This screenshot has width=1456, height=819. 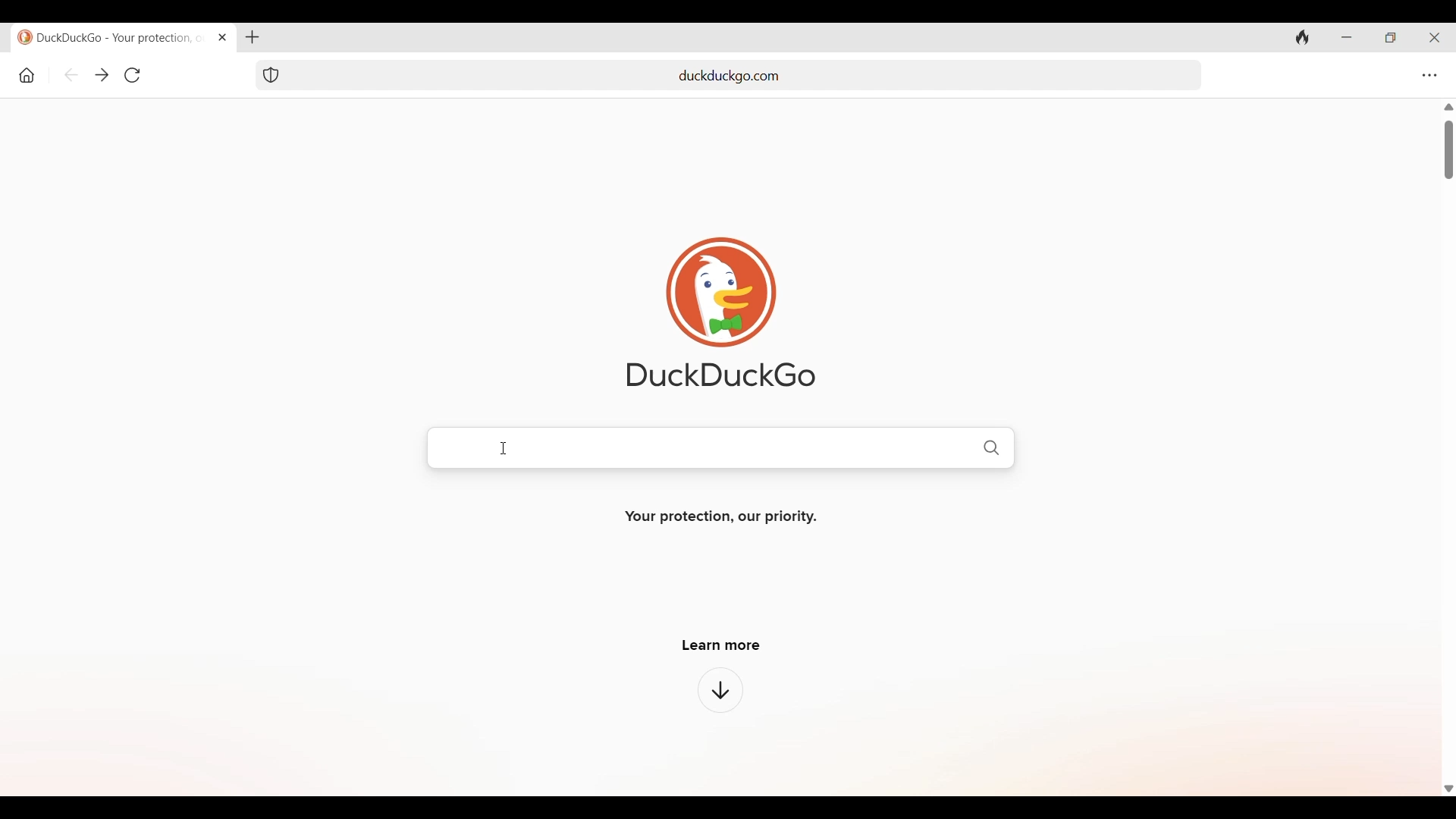 I want to click on Quick slide to top, so click(x=1448, y=107).